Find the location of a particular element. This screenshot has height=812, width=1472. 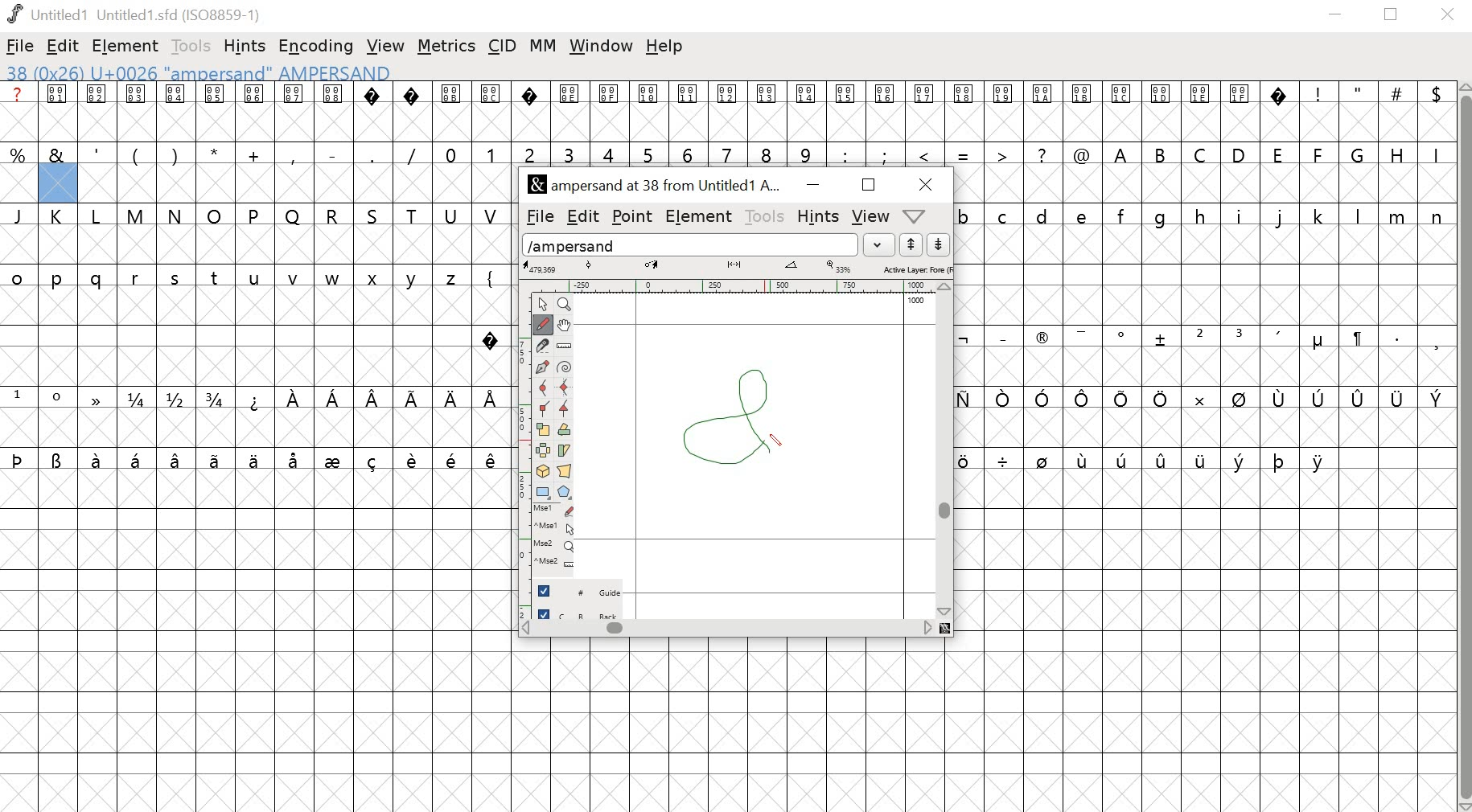

m is located at coordinates (1399, 215).